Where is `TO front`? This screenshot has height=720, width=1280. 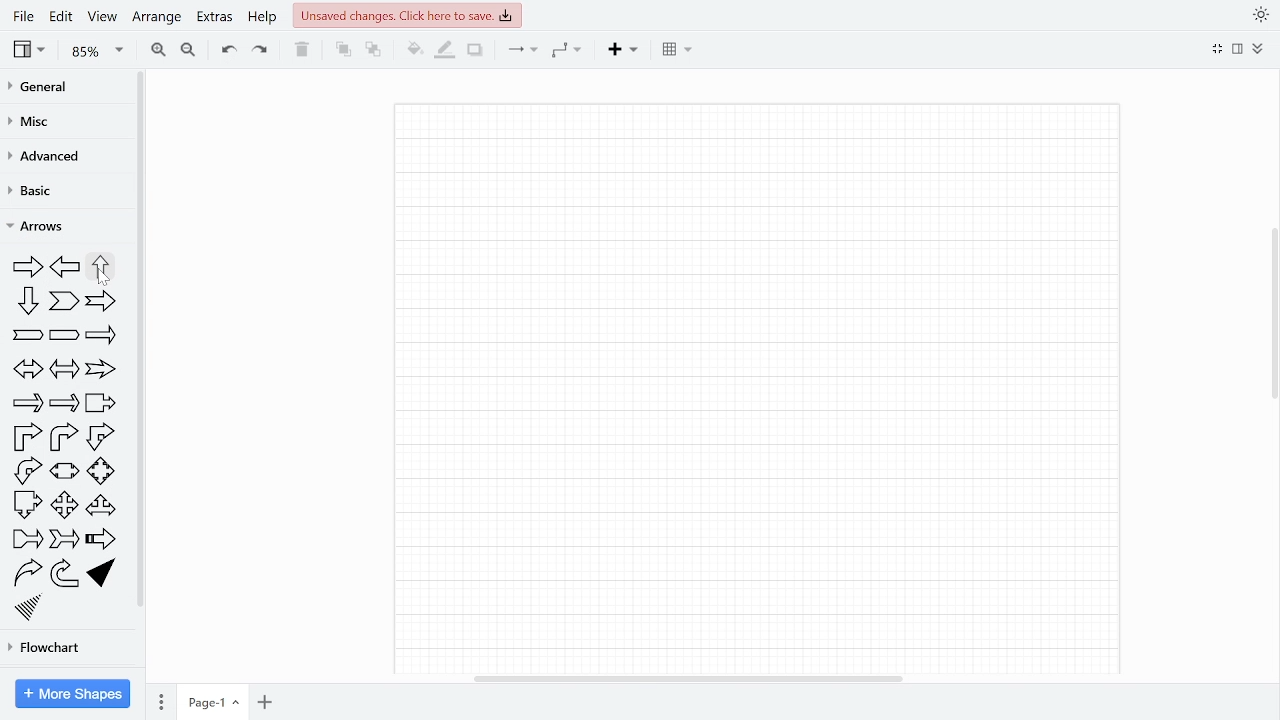
TO front is located at coordinates (342, 52).